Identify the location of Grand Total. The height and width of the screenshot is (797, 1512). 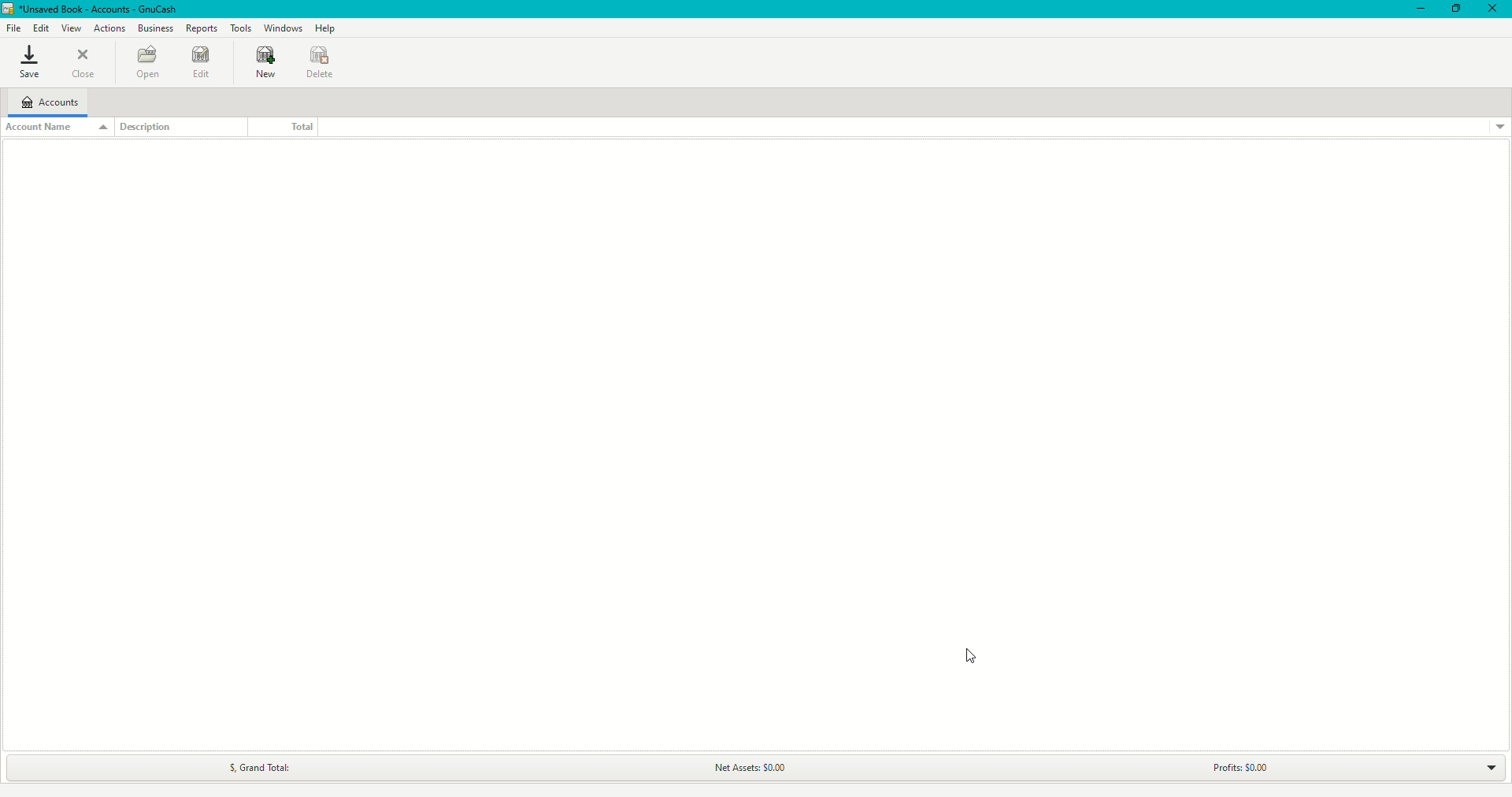
(253, 768).